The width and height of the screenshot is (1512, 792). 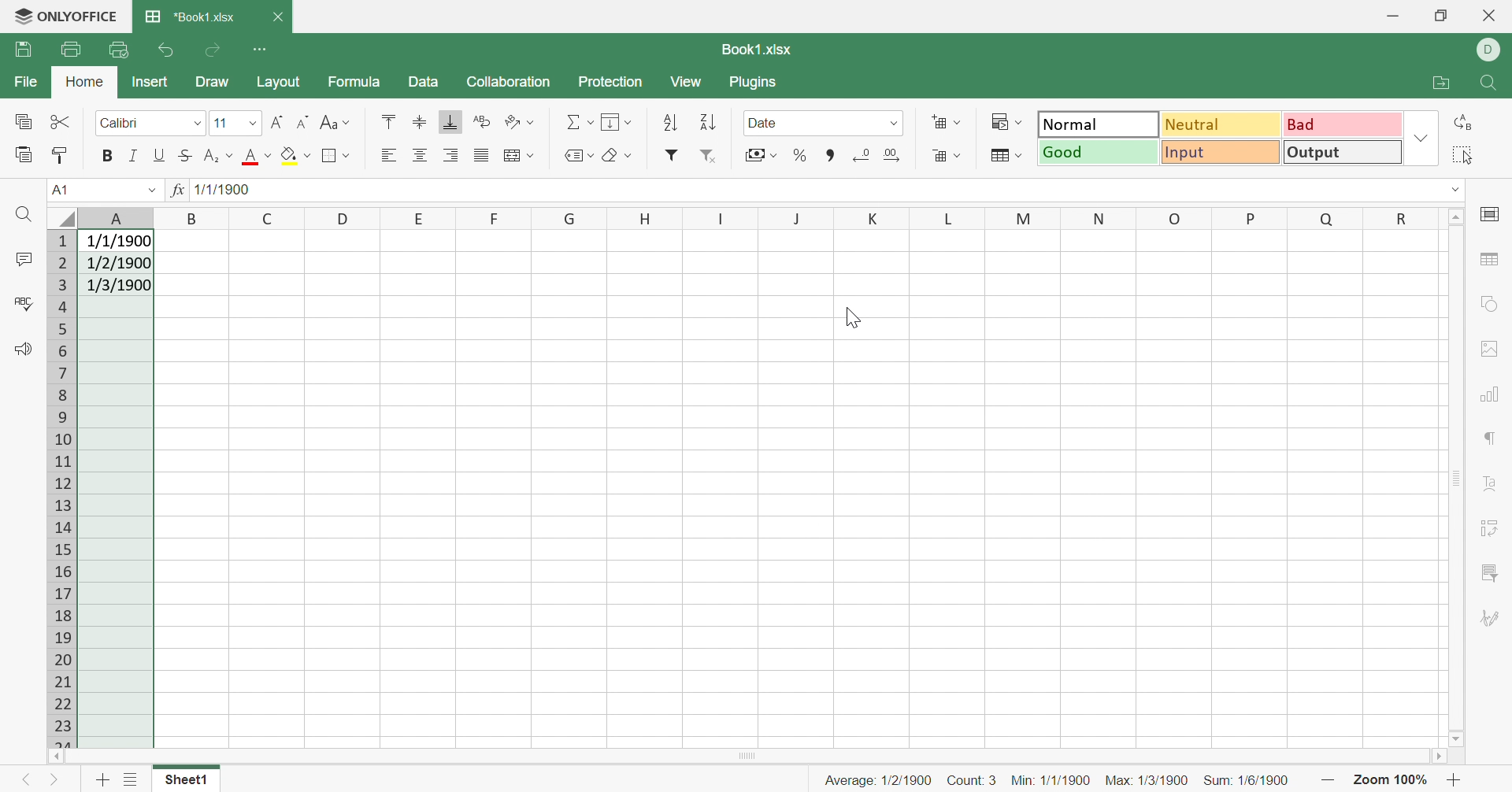 What do you see at coordinates (877, 781) in the screenshot?
I see `Average: 1/2/1900` at bounding box center [877, 781].